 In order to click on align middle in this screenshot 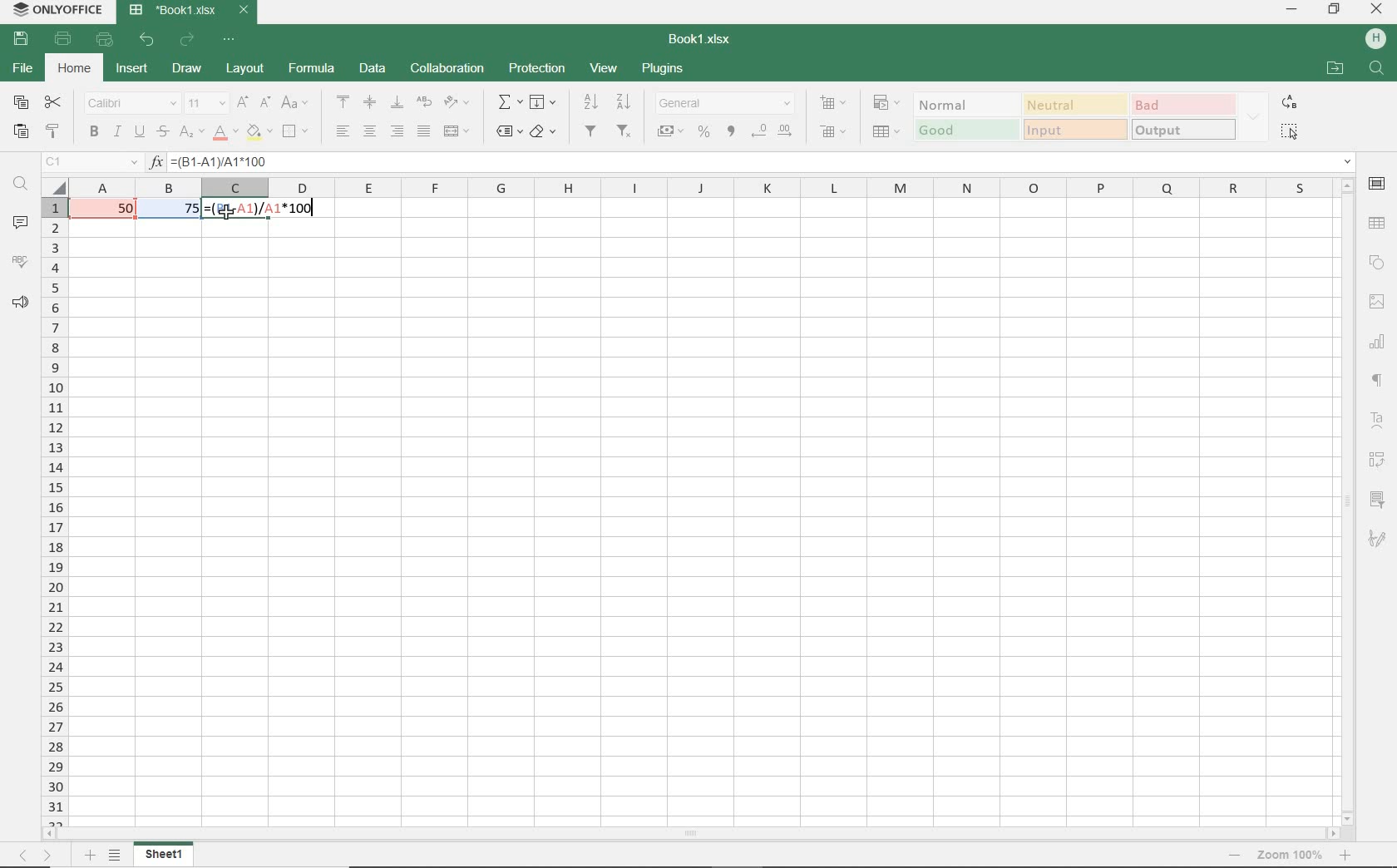, I will do `click(368, 102)`.